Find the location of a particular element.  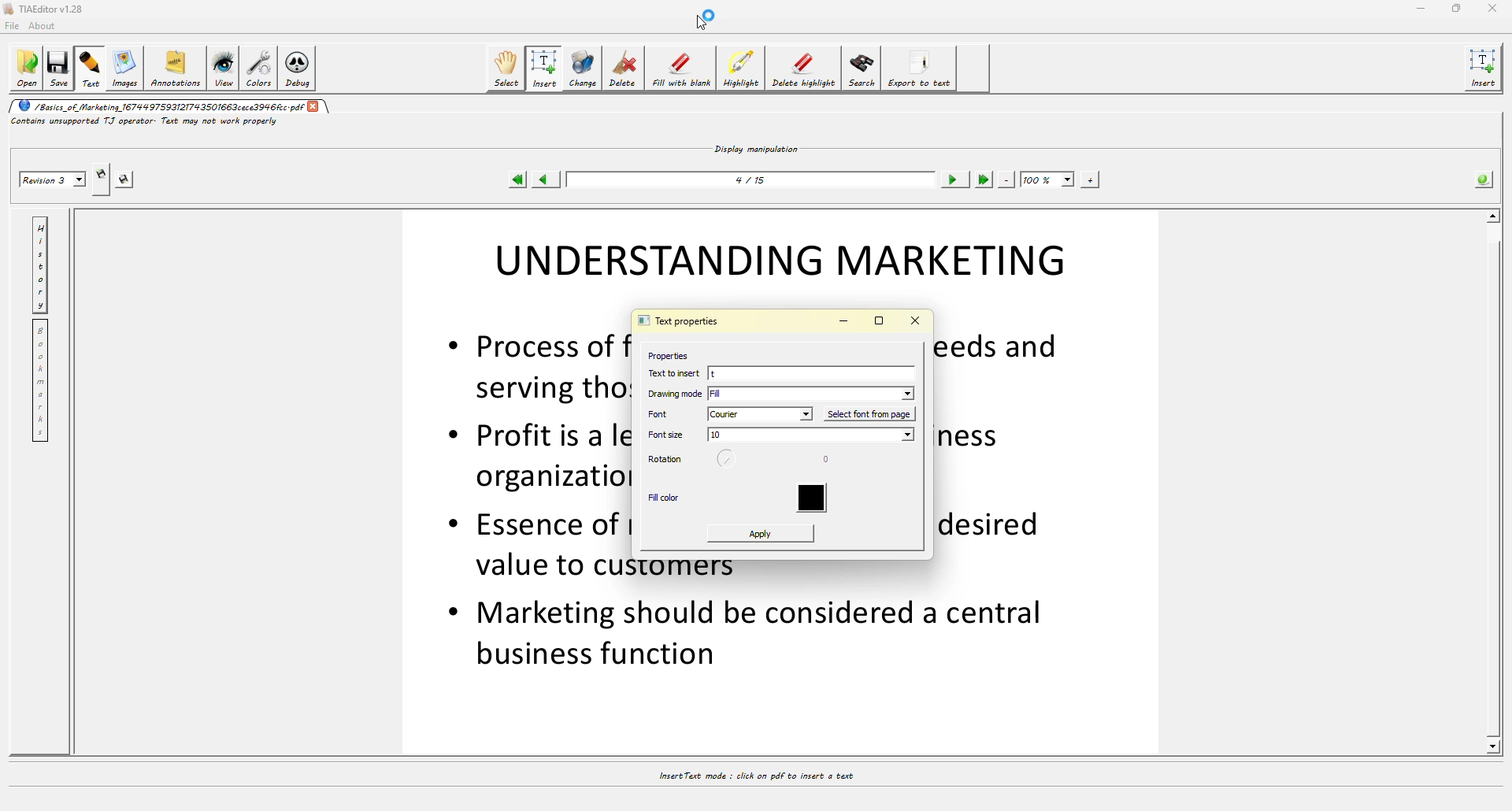

scroll up is located at coordinates (1493, 213).